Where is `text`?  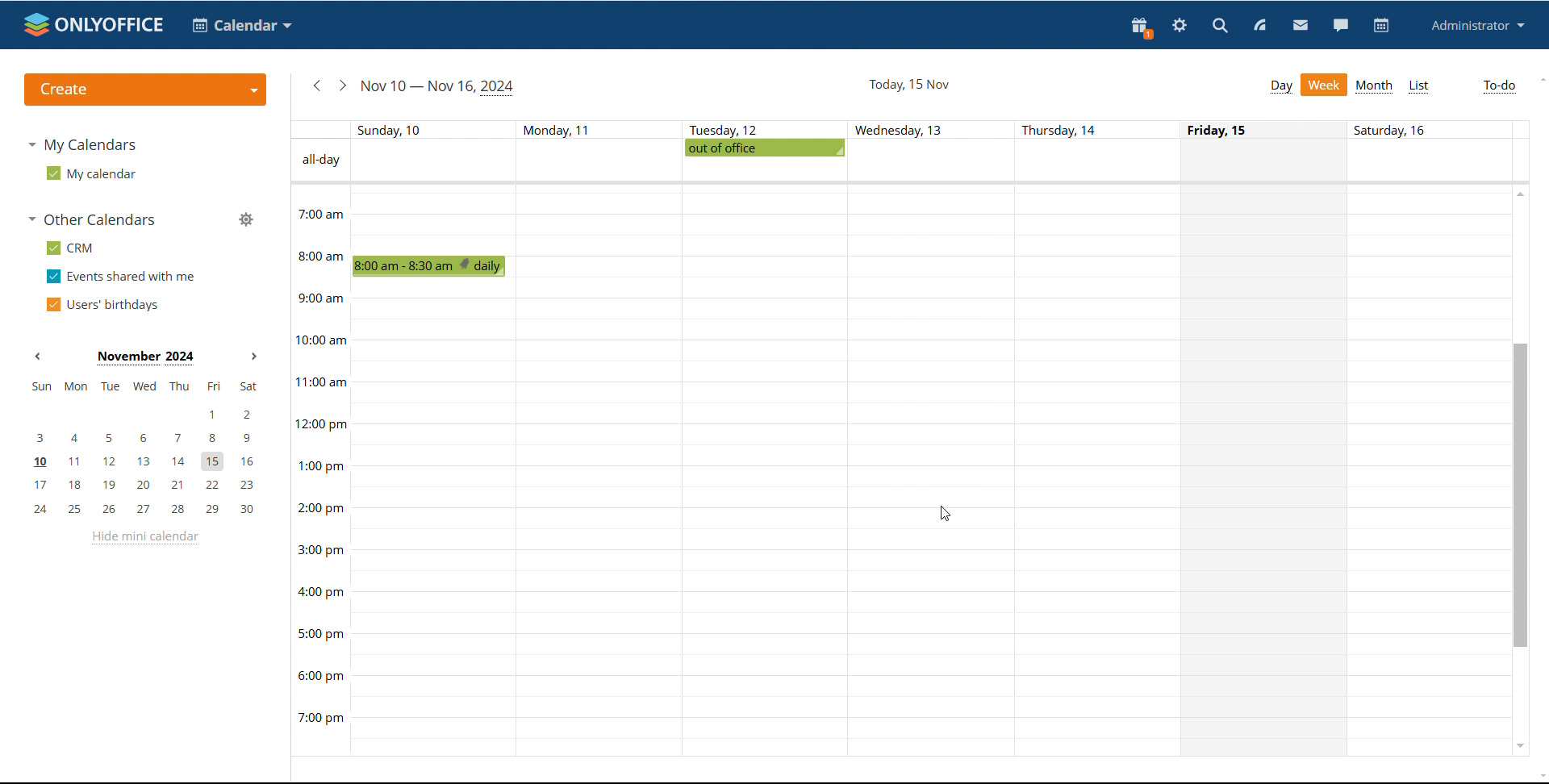 text is located at coordinates (896, 129).